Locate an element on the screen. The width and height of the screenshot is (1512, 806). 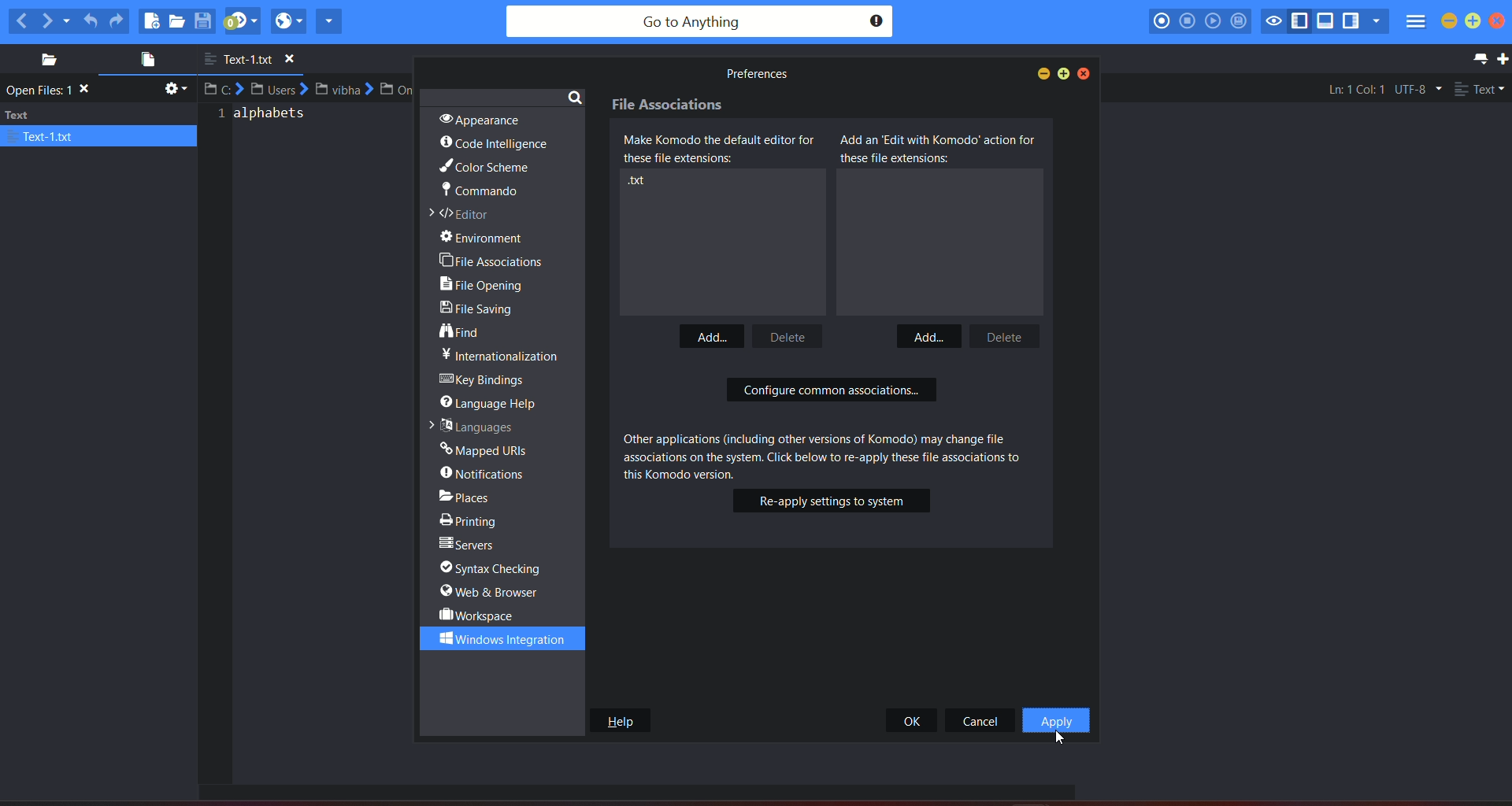
redo is located at coordinates (117, 20).